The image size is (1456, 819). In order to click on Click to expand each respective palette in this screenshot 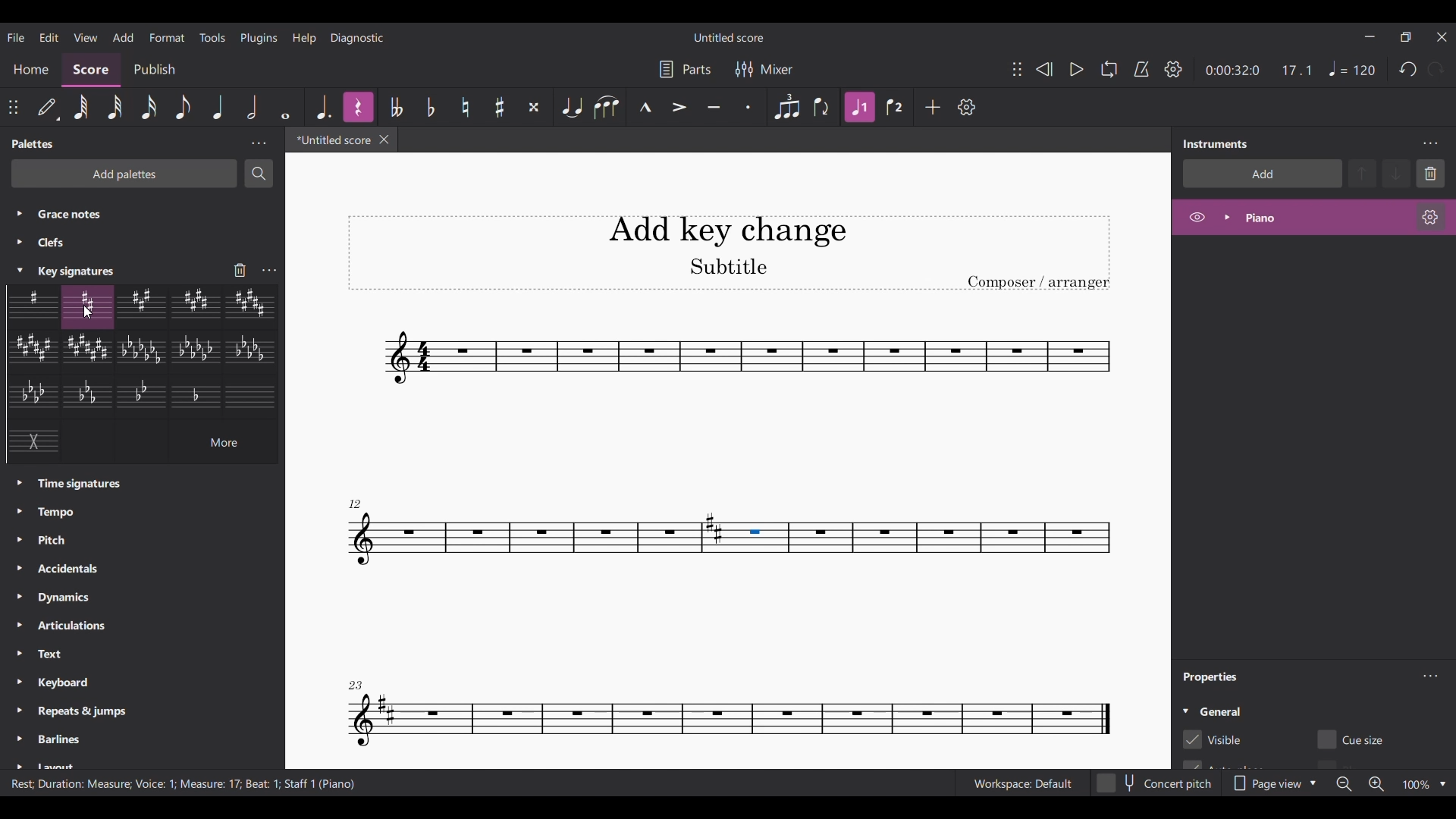, I will do `click(17, 397)`.